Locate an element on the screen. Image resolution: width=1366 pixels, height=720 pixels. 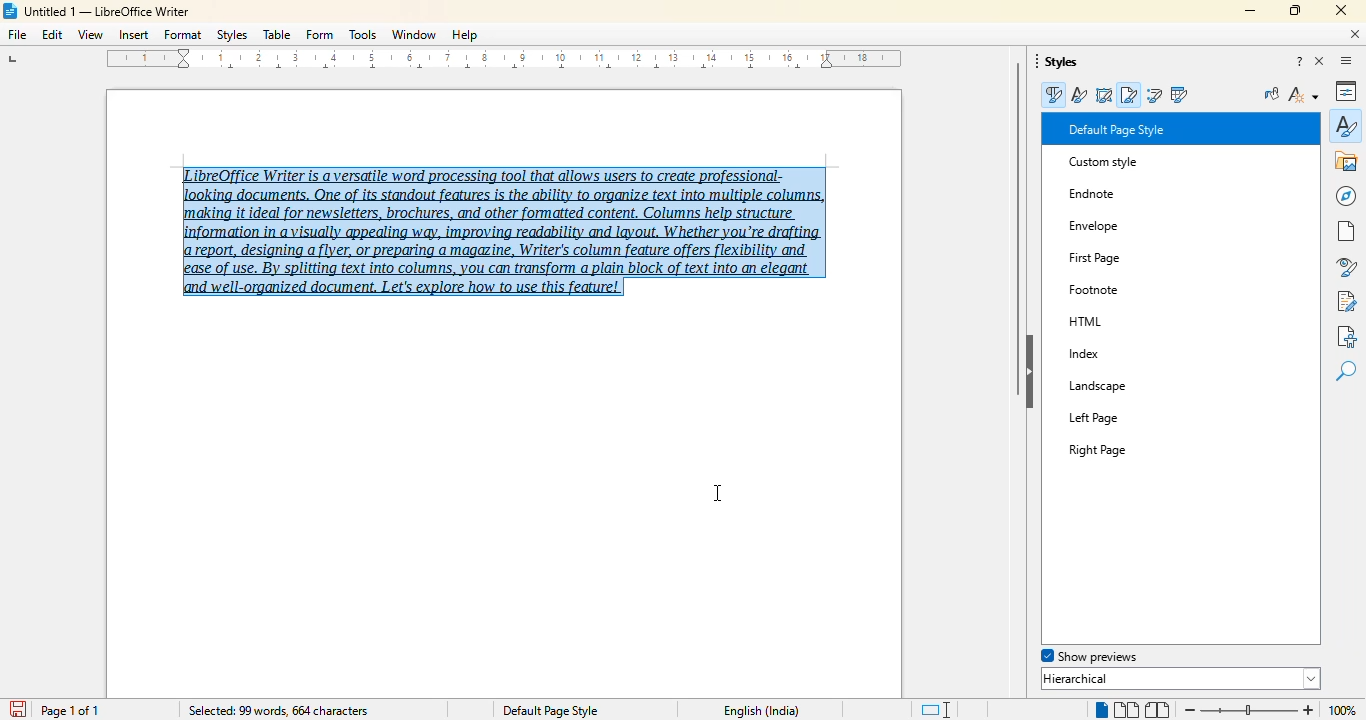
edit is located at coordinates (53, 35).